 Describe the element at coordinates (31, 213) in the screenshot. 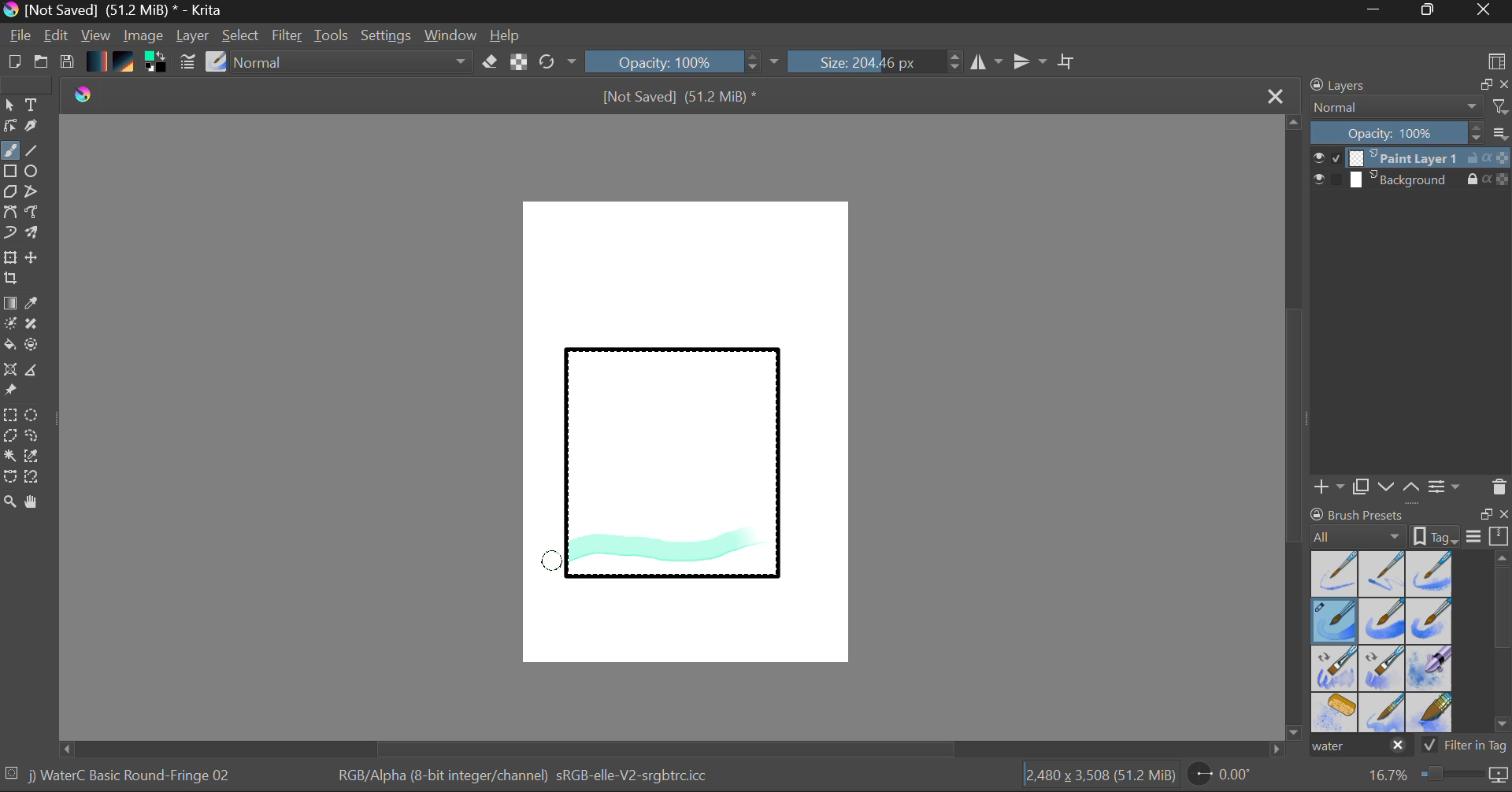

I see `Freehand Path Tool` at that location.